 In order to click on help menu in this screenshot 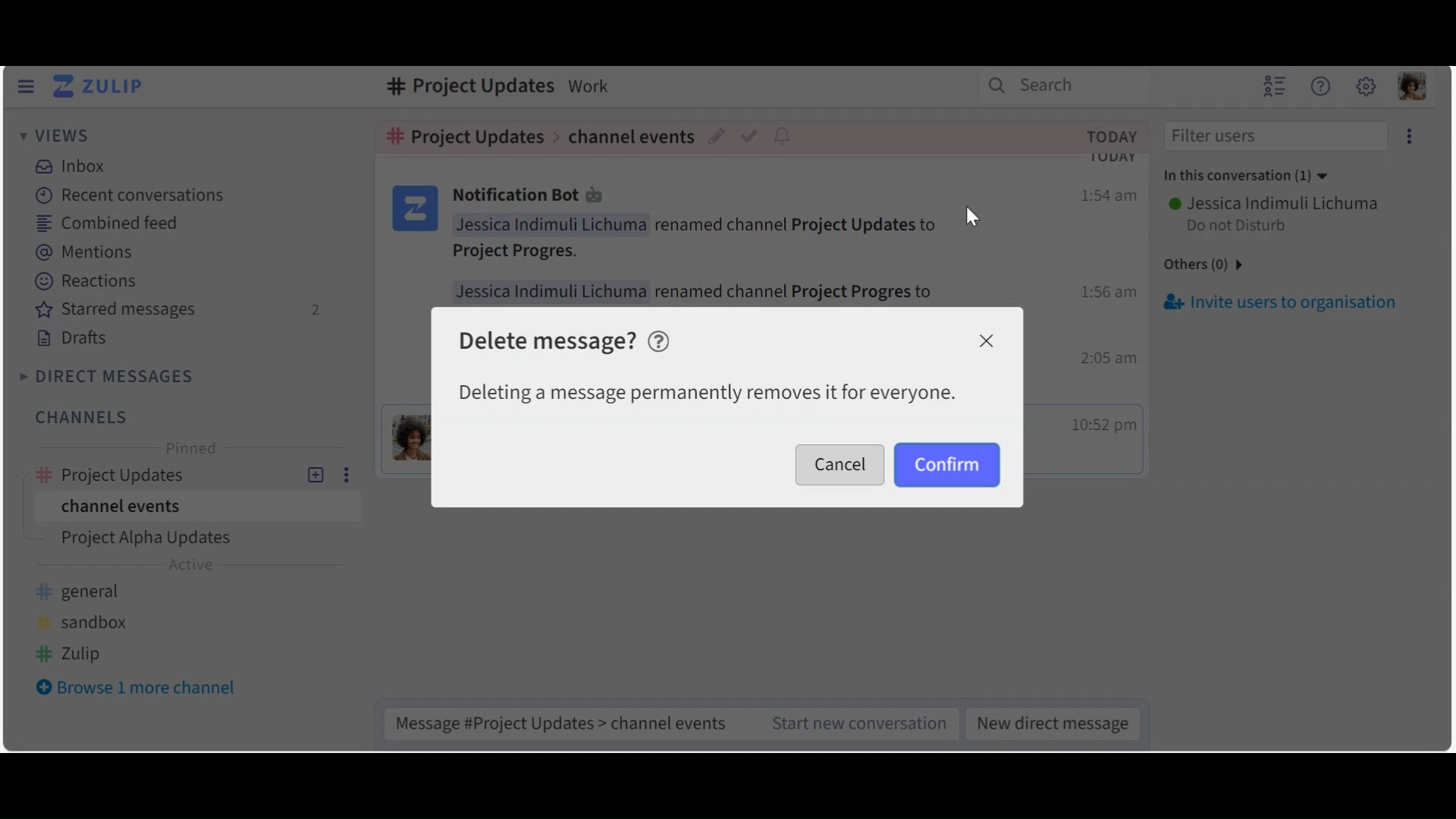, I will do `click(664, 341)`.